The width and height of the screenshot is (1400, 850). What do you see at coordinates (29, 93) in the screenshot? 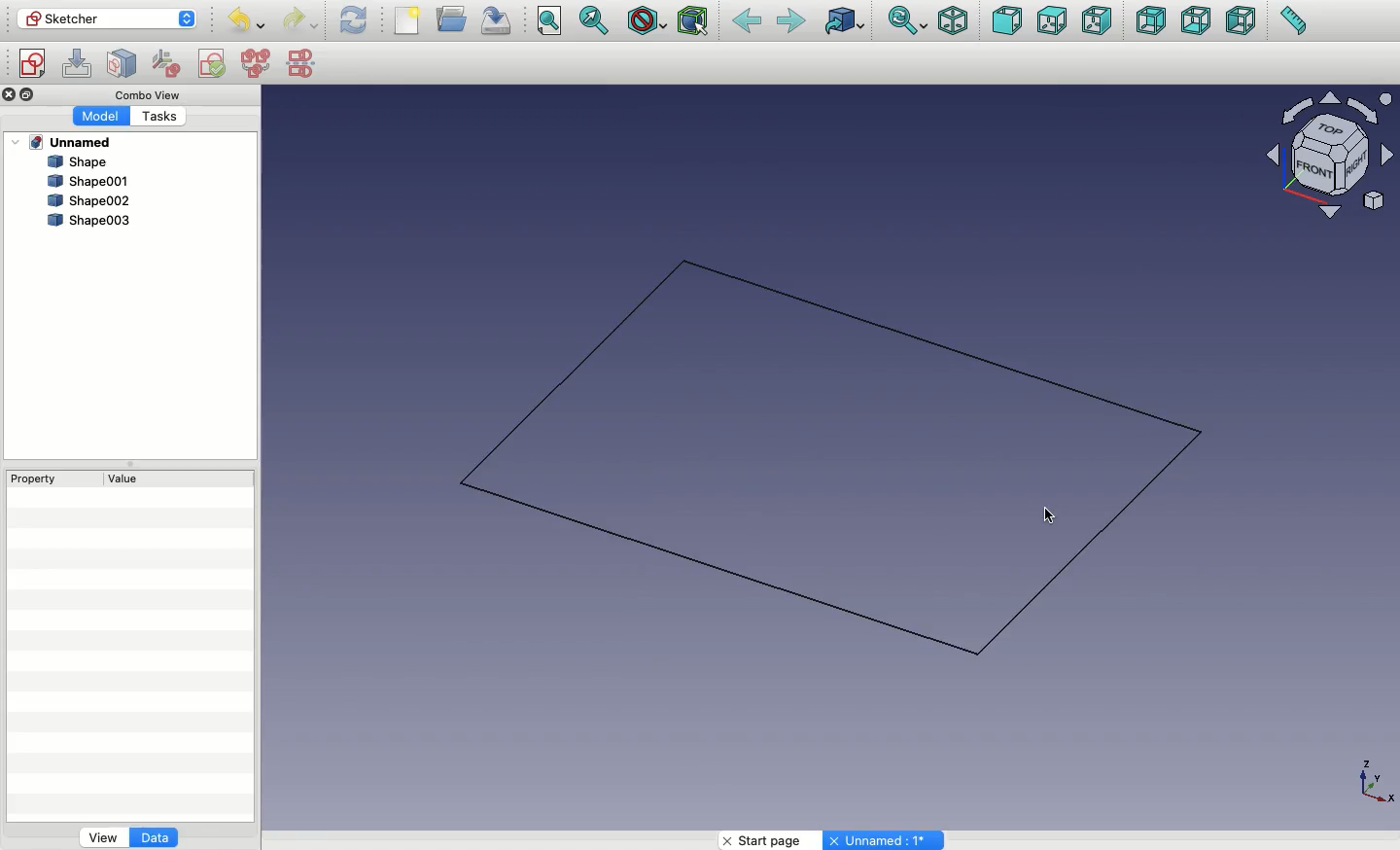
I see `Duplicate` at bounding box center [29, 93].